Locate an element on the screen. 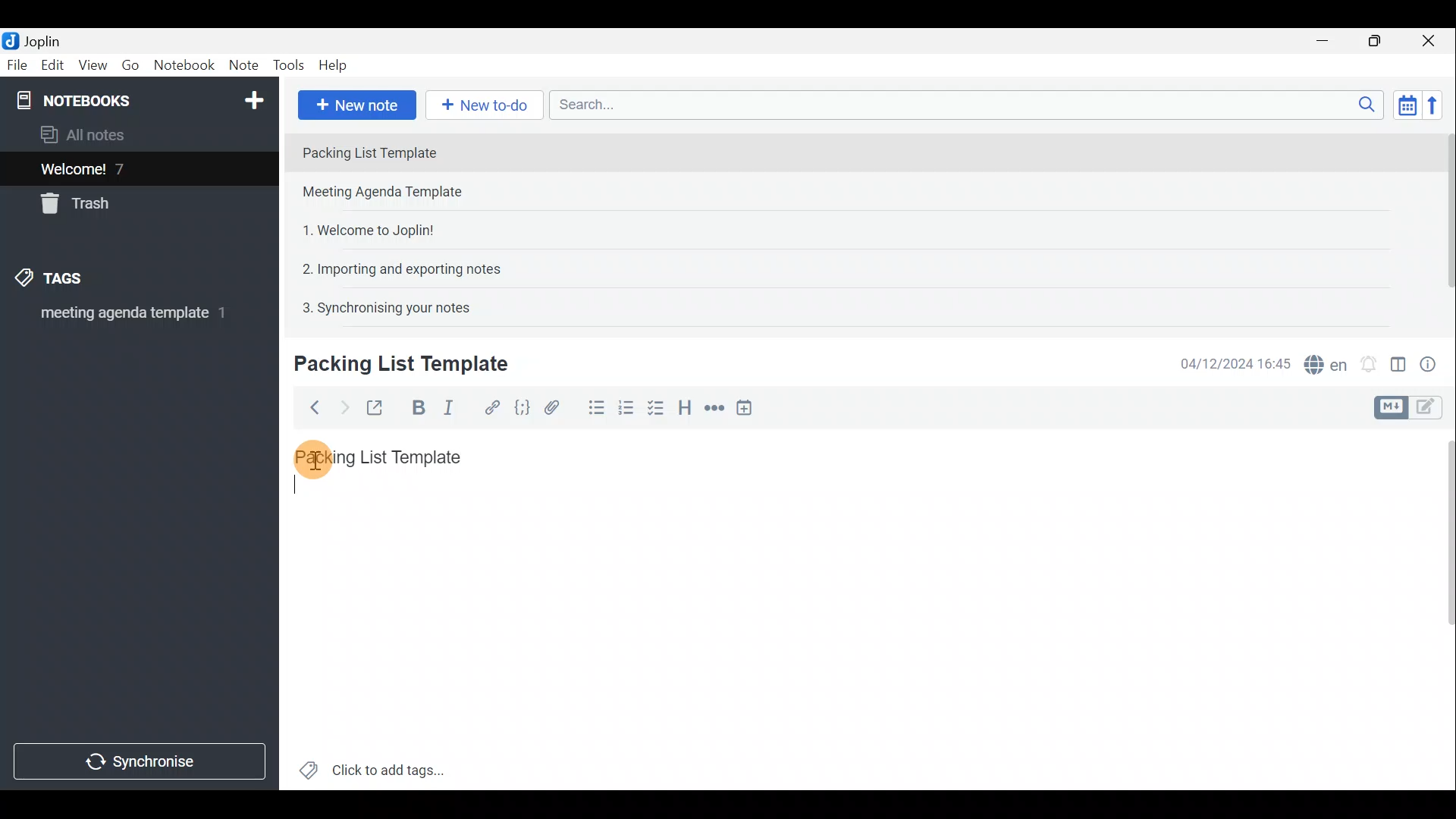 This screenshot has height=819, width=1456. File is located at coordinates (15, 64).